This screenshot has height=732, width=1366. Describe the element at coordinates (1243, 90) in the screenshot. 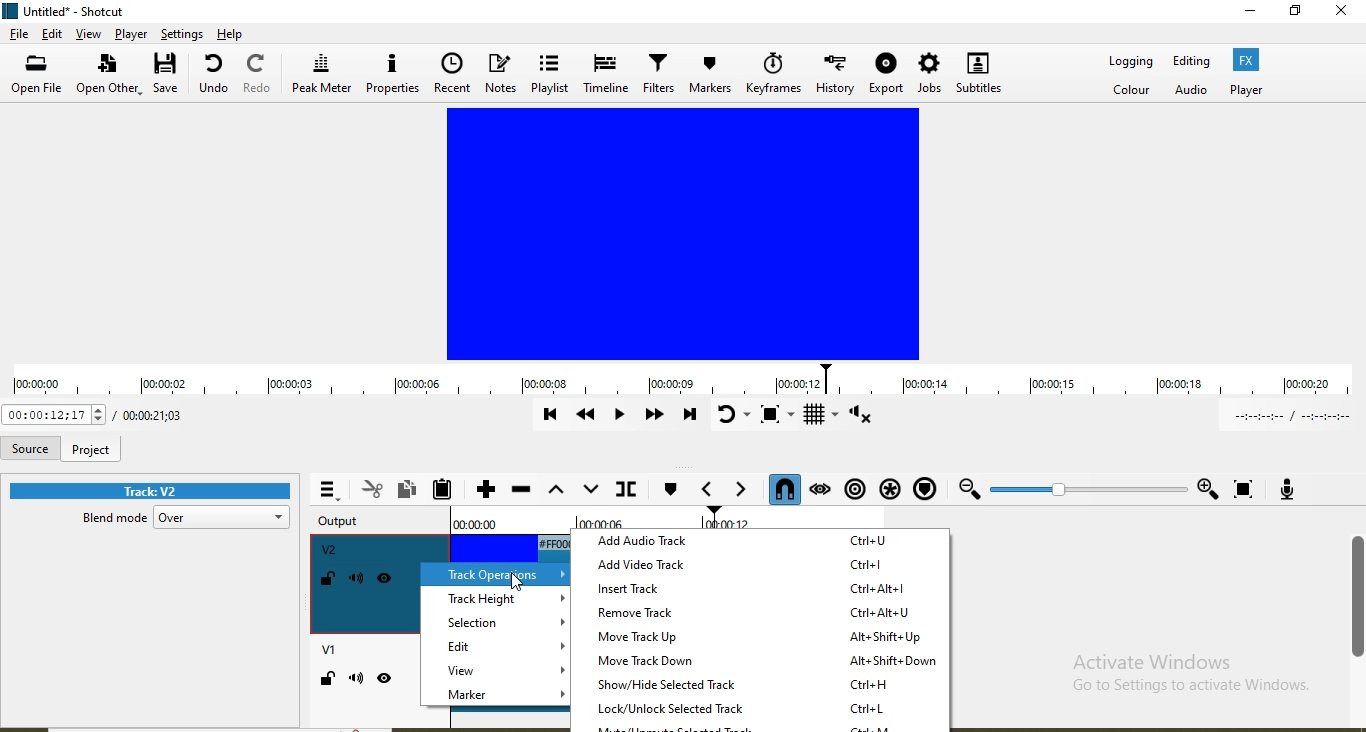

I see `Player` at that location.